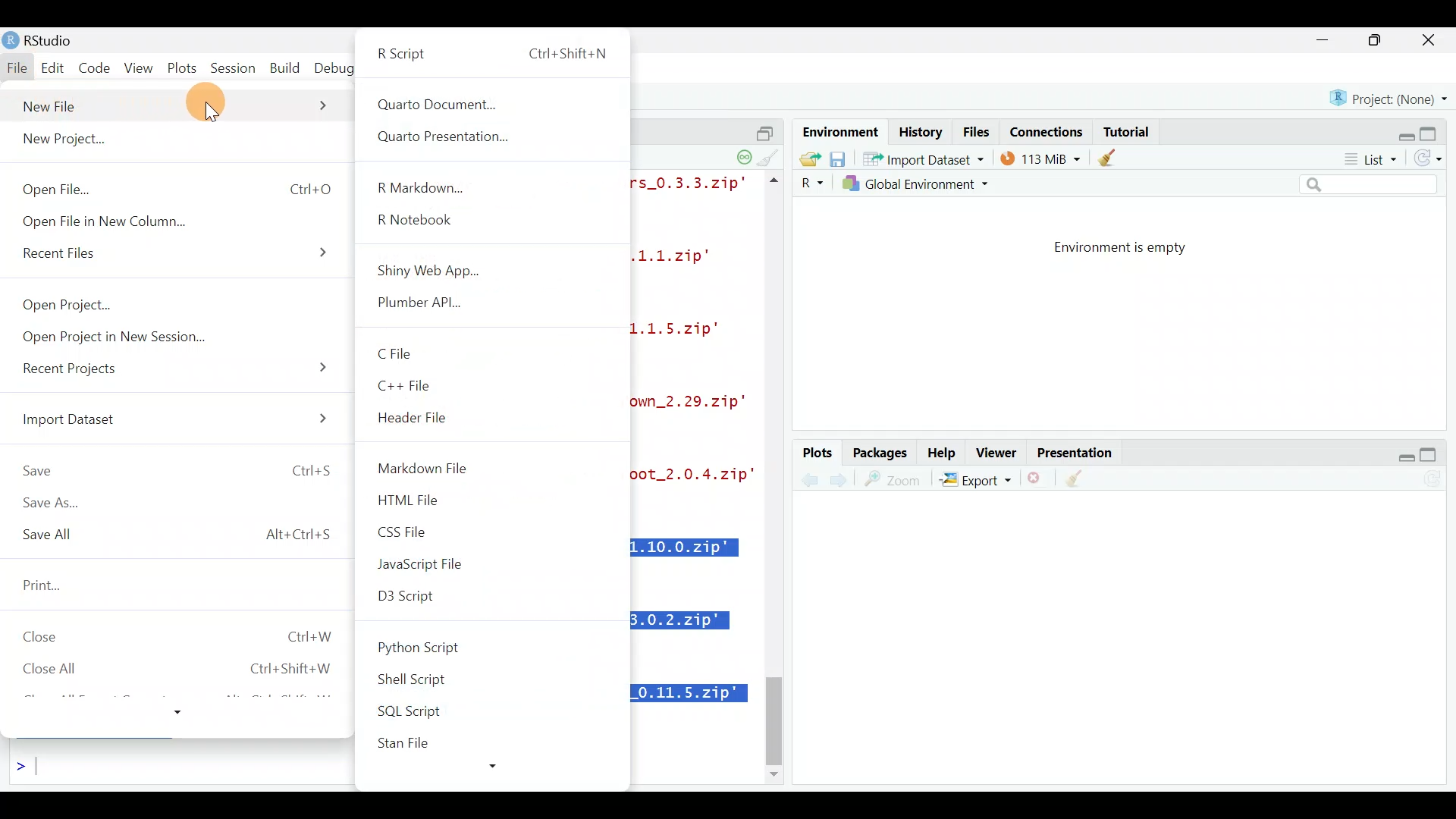 This screenshot has height=819, width=1456. I want to click on SQL Script, so click(413, 710).